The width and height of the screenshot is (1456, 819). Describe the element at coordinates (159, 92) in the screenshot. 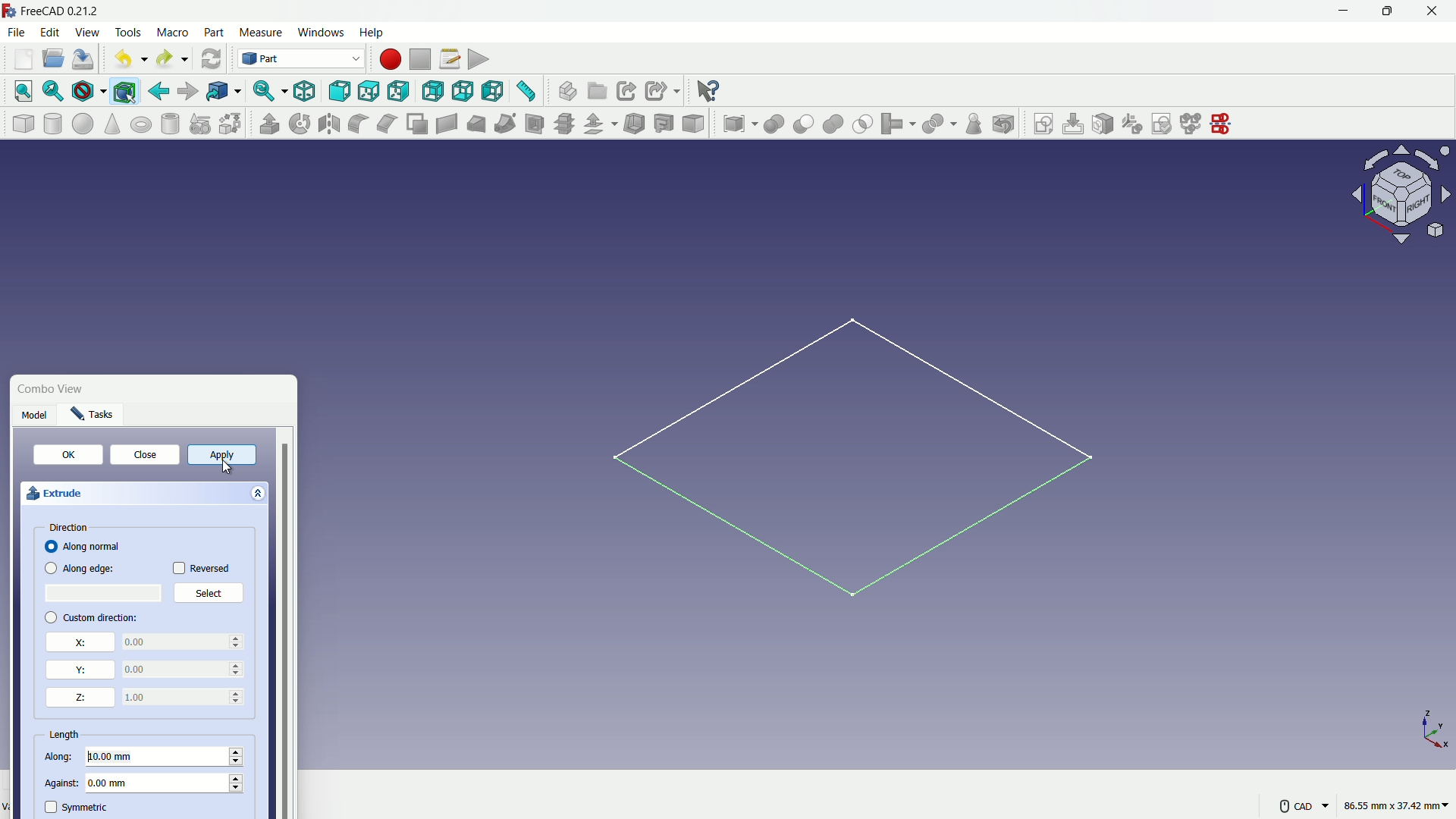

I see `go back` at that location.